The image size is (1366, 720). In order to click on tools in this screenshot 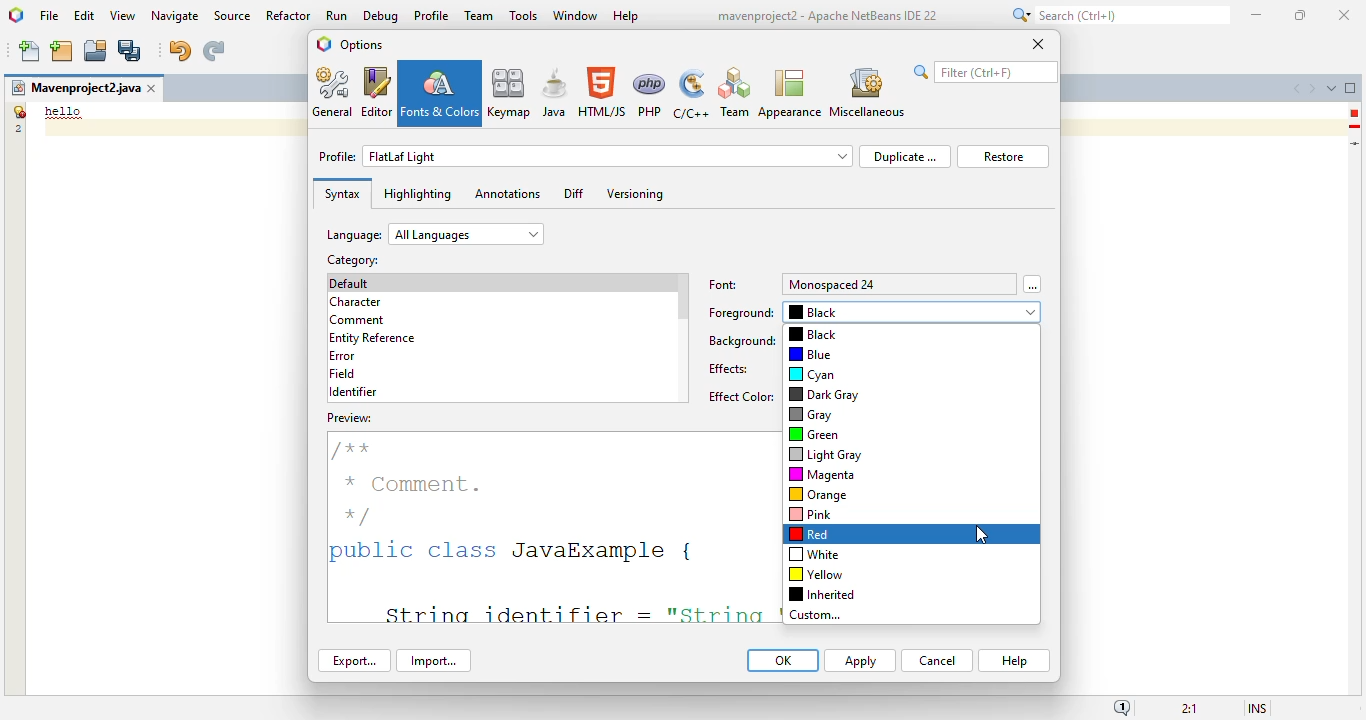, I will do `click(523, 15)`.